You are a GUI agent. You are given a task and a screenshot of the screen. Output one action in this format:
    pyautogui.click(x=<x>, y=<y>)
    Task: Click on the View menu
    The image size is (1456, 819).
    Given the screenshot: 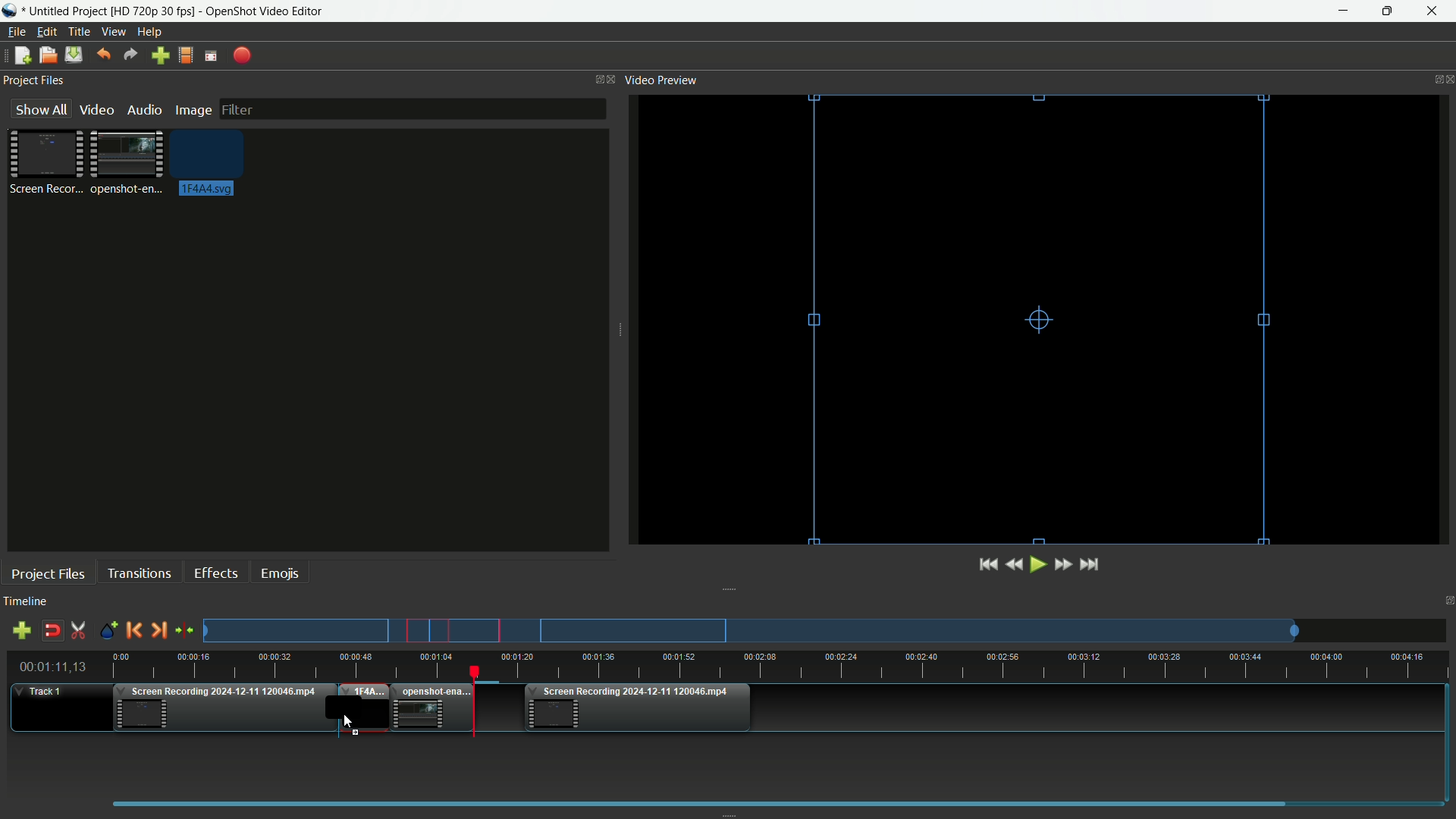 What is the action you would take?
    pyautogui.click(x=112, y=33)
    